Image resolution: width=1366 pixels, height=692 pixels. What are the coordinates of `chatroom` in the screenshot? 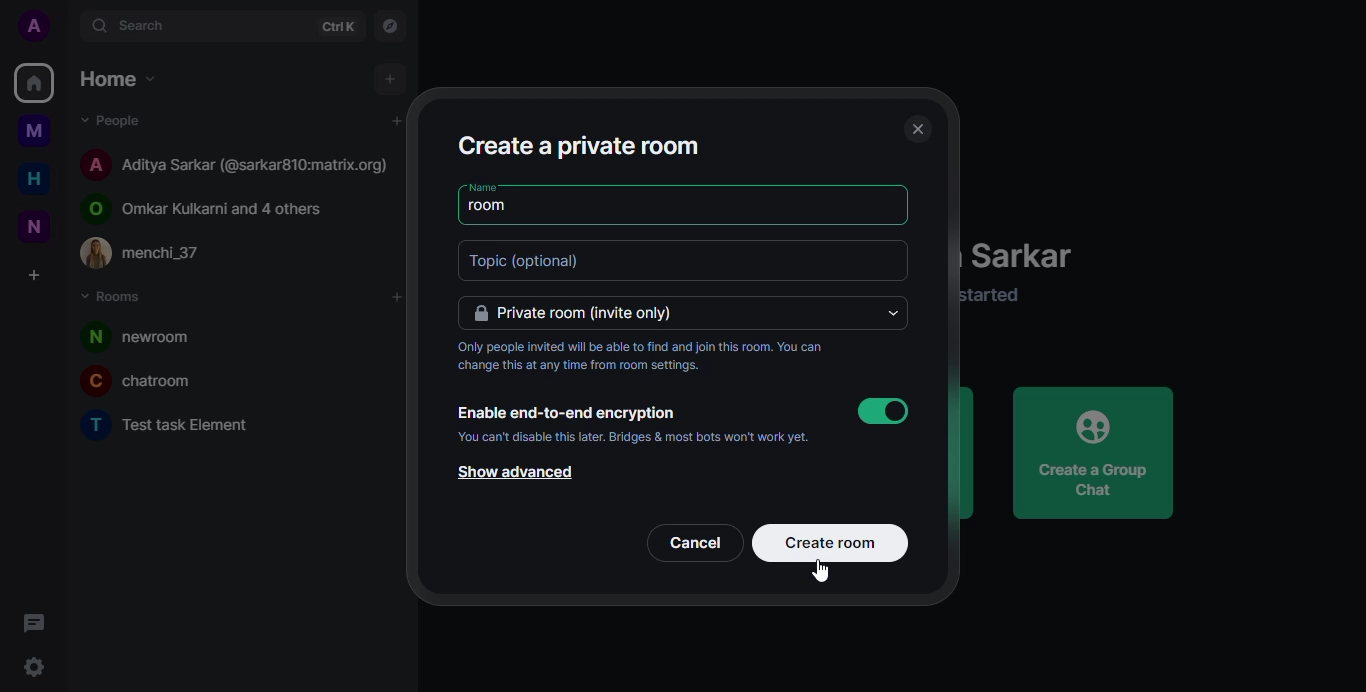 It's located at (150, 380).